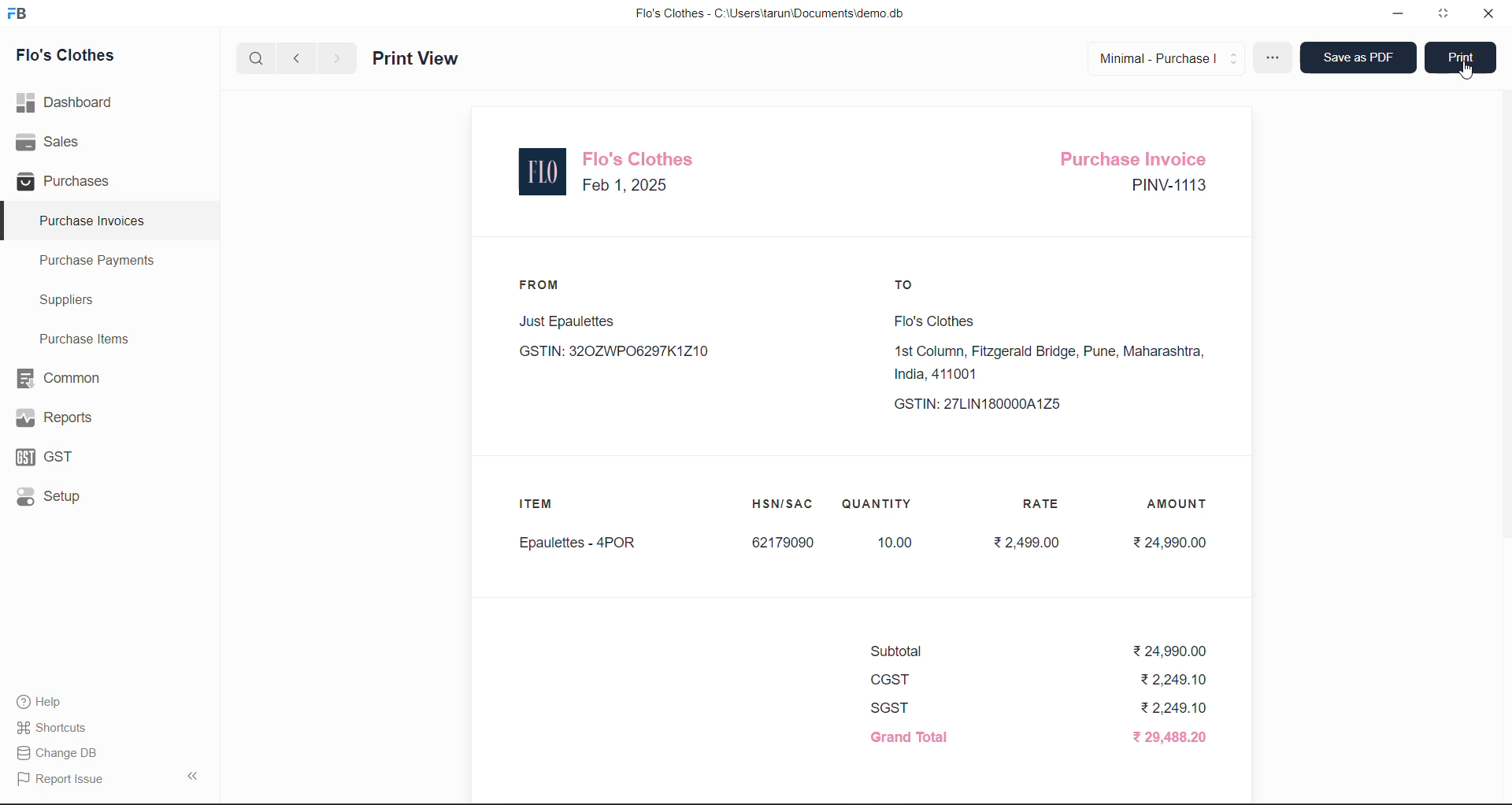 This screenshot has width=1512, height=805. Describe the element at coordinates (1036, 653) in the screenshot. I see `Subtotal ₹24,990.00` at that location.